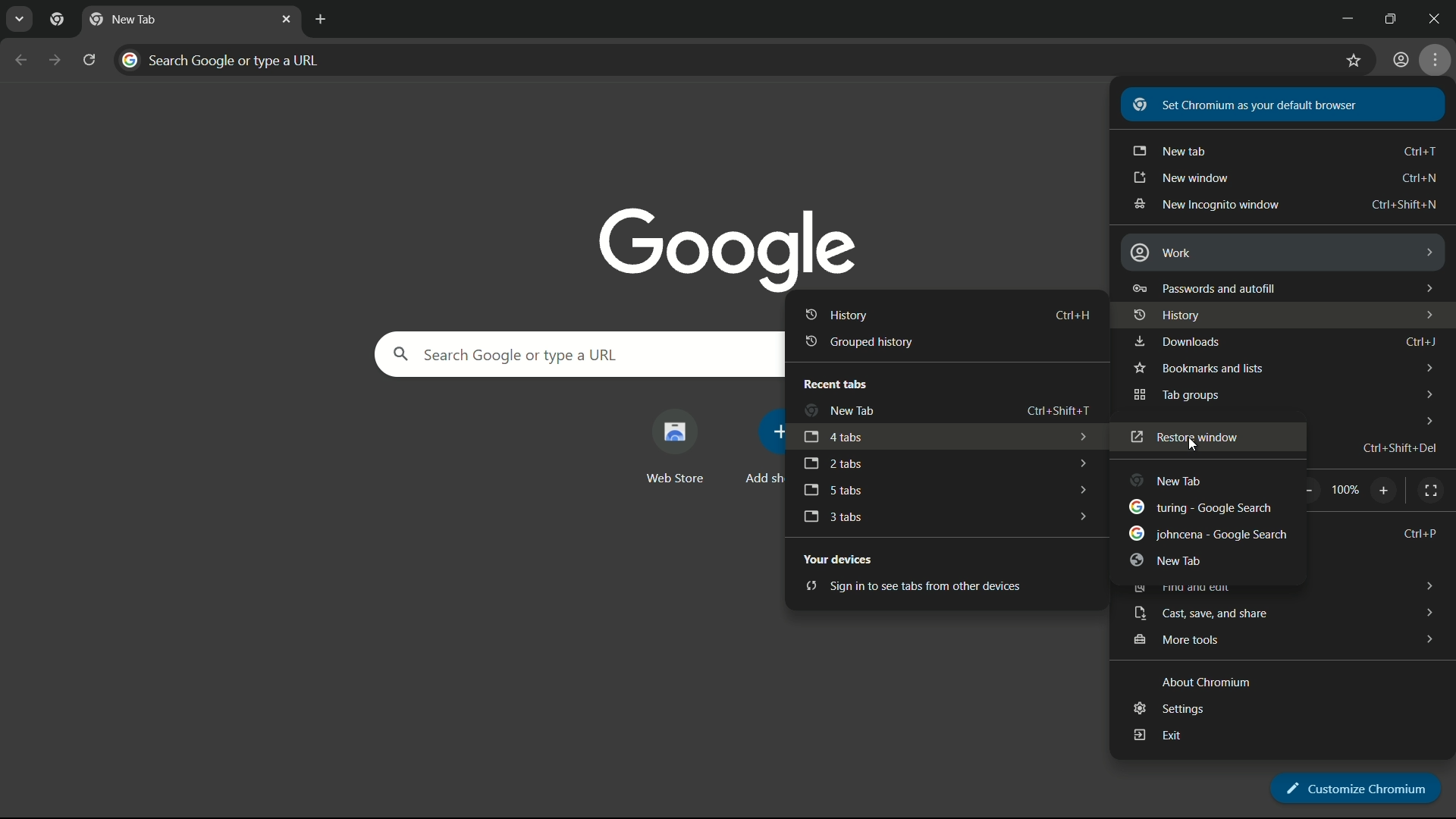 Image resolution: width=1456 pixels, height=819 pixels. I want to click on password and autofill, so click(1204, 288).